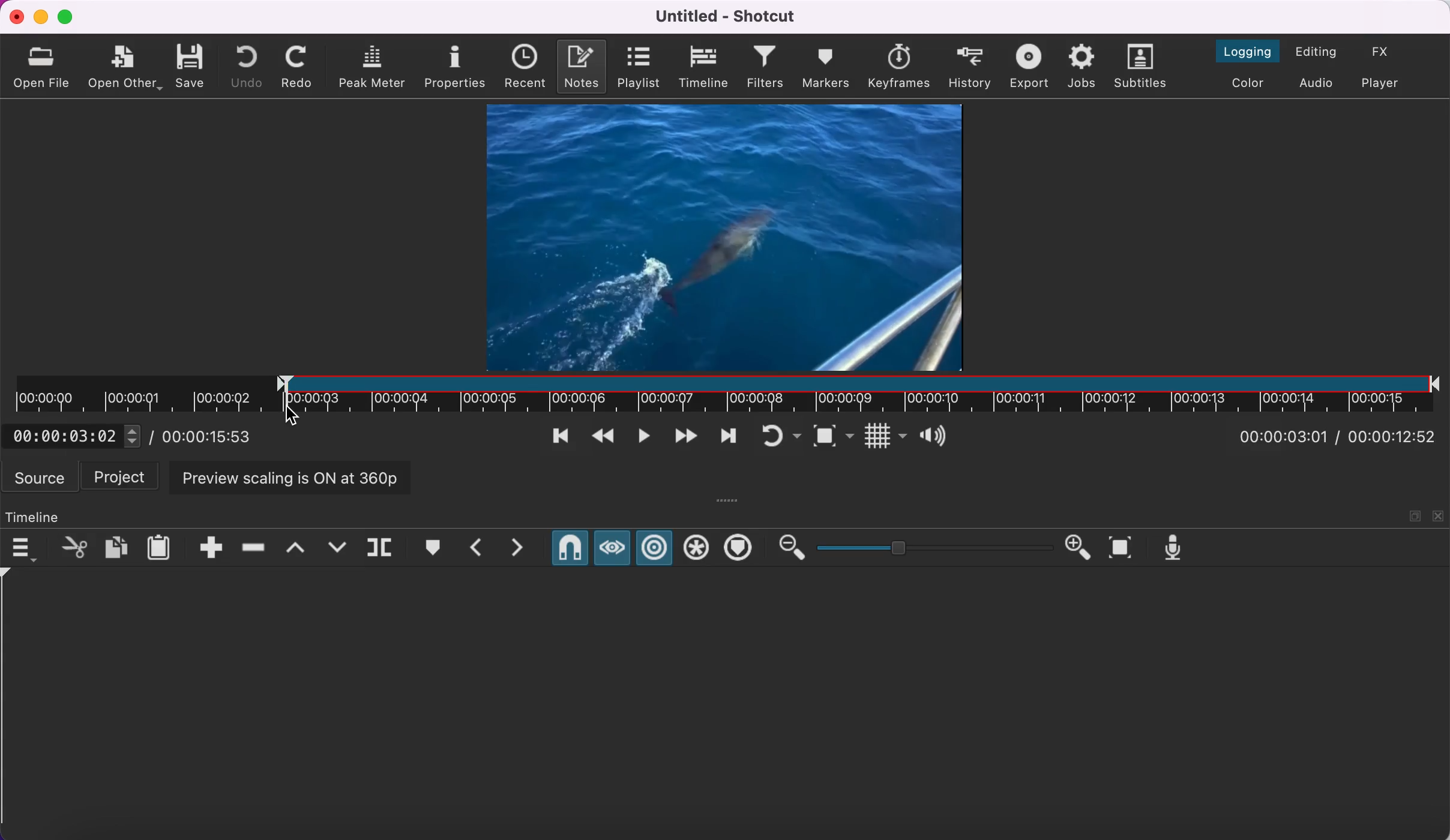 This screenshot has height=840, width=1450. Describe the element at coordinates (733, 17) in the screenshot. I see `title` at that location.